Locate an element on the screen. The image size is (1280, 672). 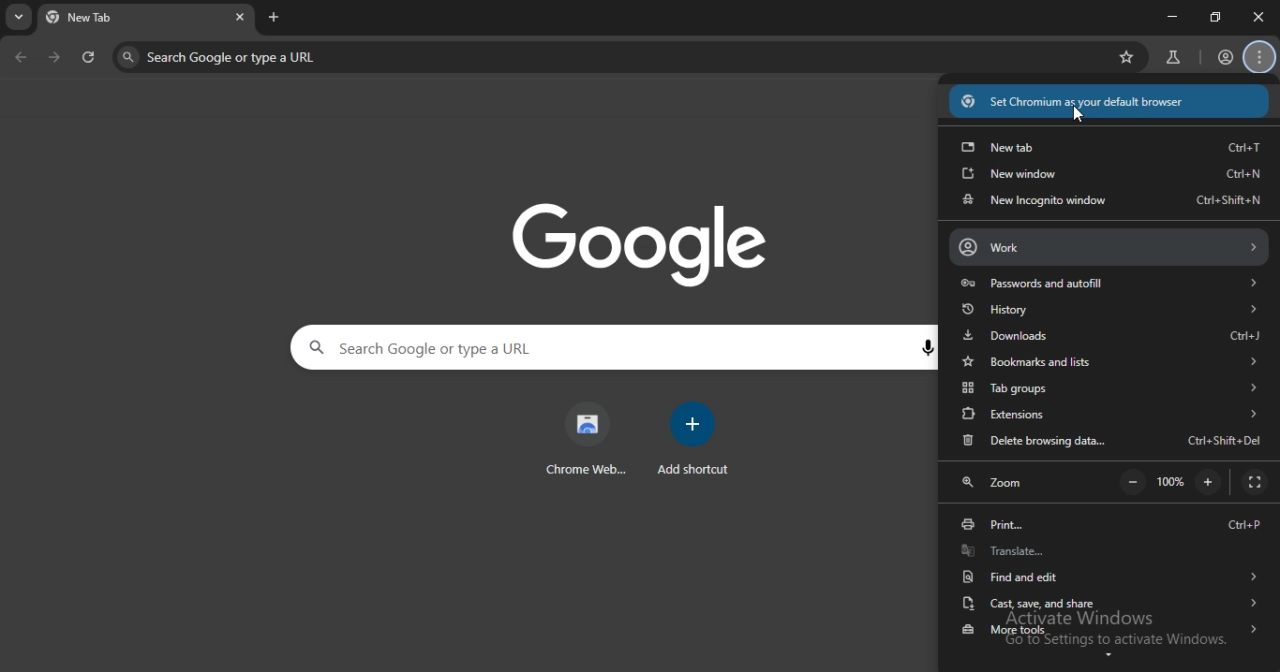
new window is located at coordinates (1110, 174).